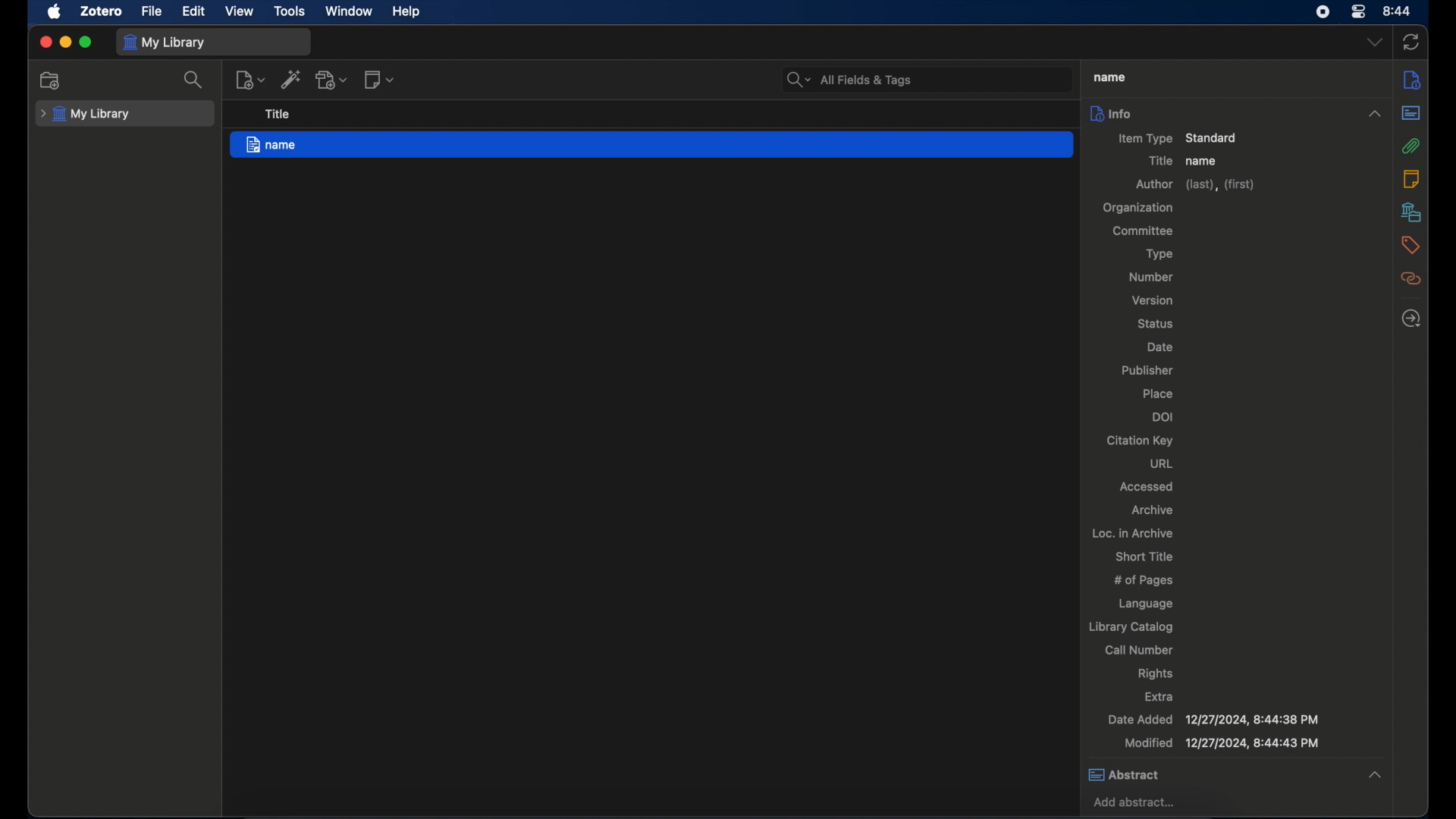 Image resolution: width=1456 pixels, height=819 pixels. Describe the element at coordinates (408, 12) in the screenshot. I see `help` at that location.